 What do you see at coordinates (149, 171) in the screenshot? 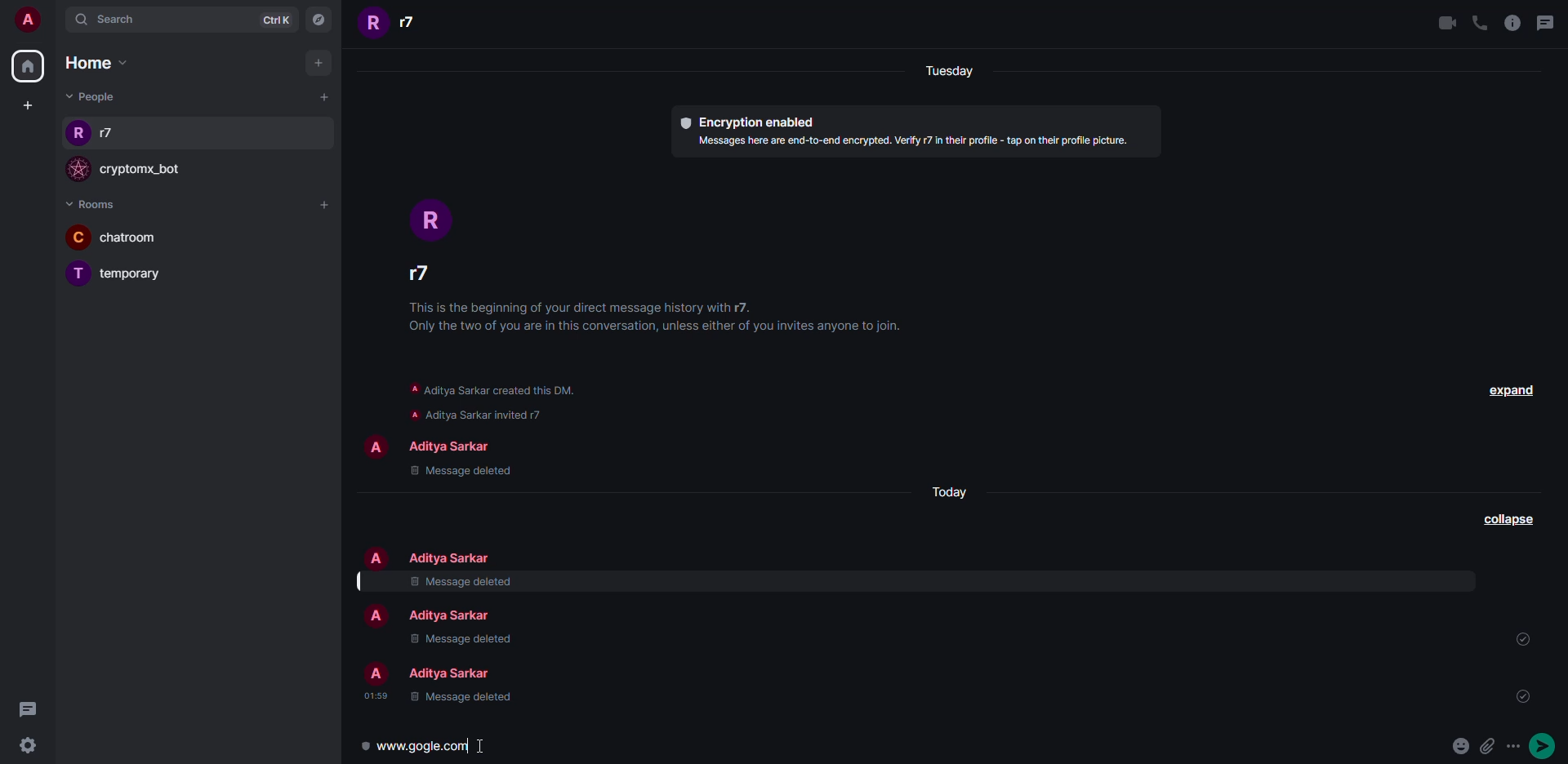
I see `bot` at bounding box center [149, 171].